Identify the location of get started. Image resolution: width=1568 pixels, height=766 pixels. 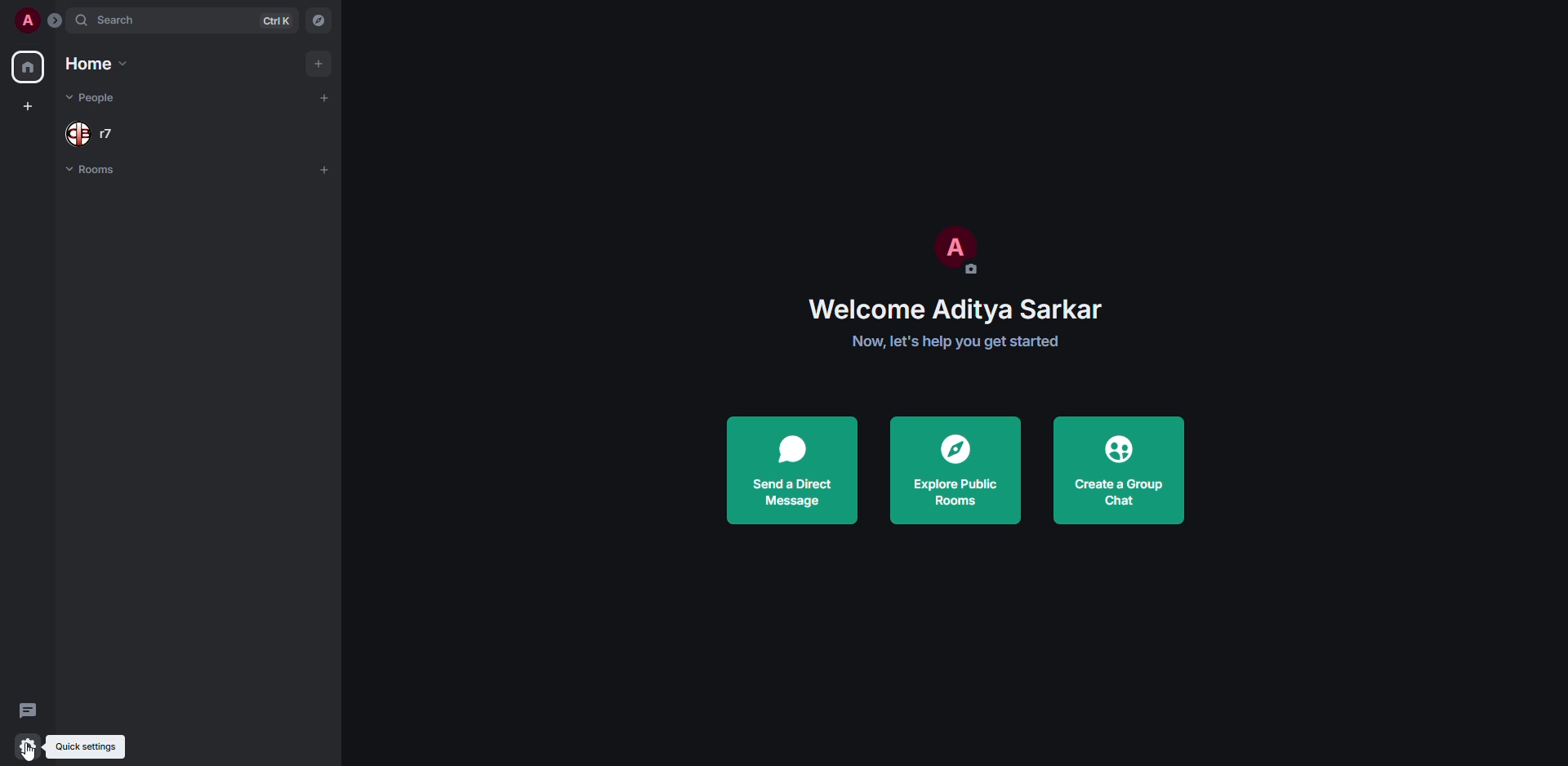
(956, 341).